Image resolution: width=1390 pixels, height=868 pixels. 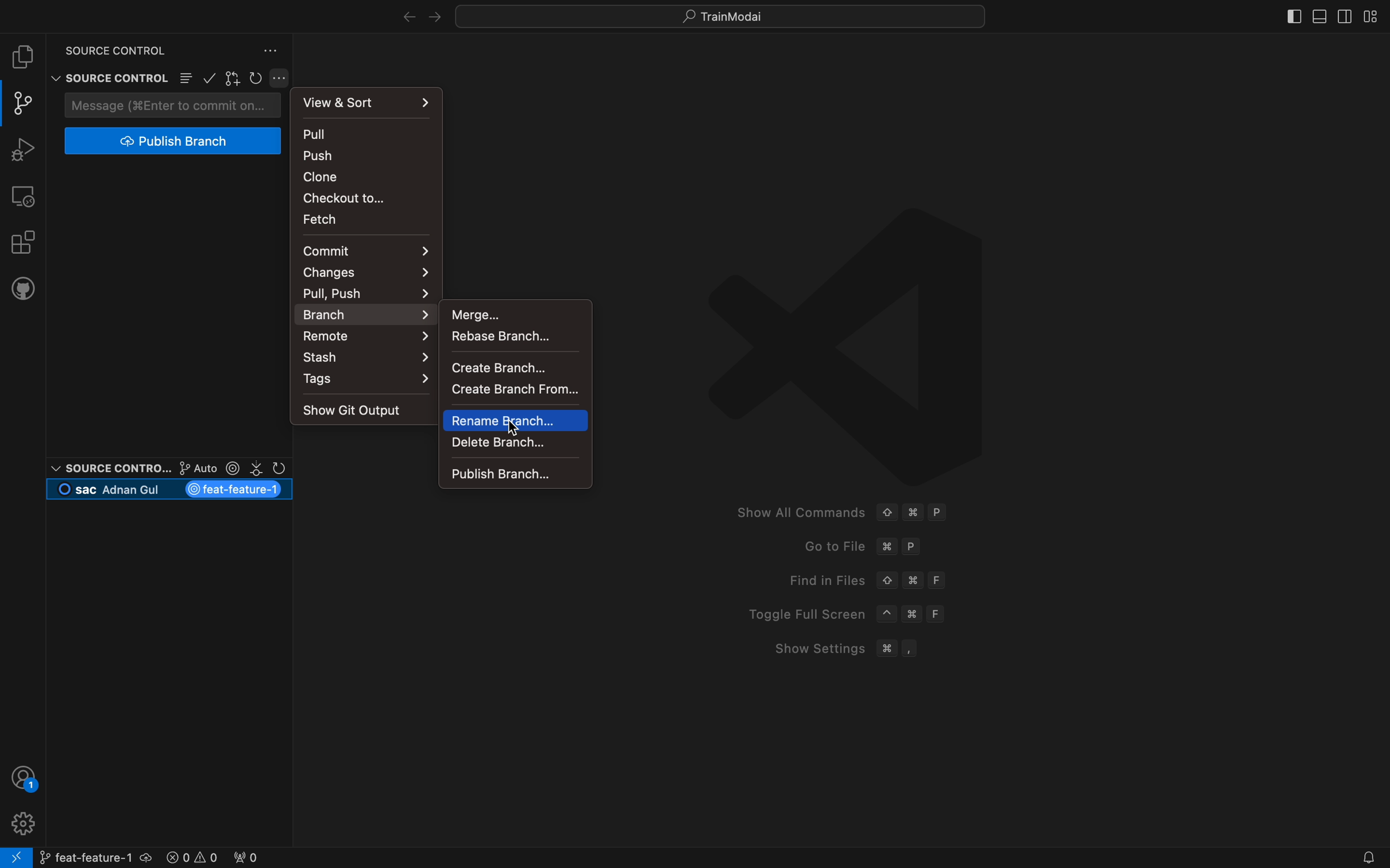 I want to click on profile, so click(x=25, y=777).